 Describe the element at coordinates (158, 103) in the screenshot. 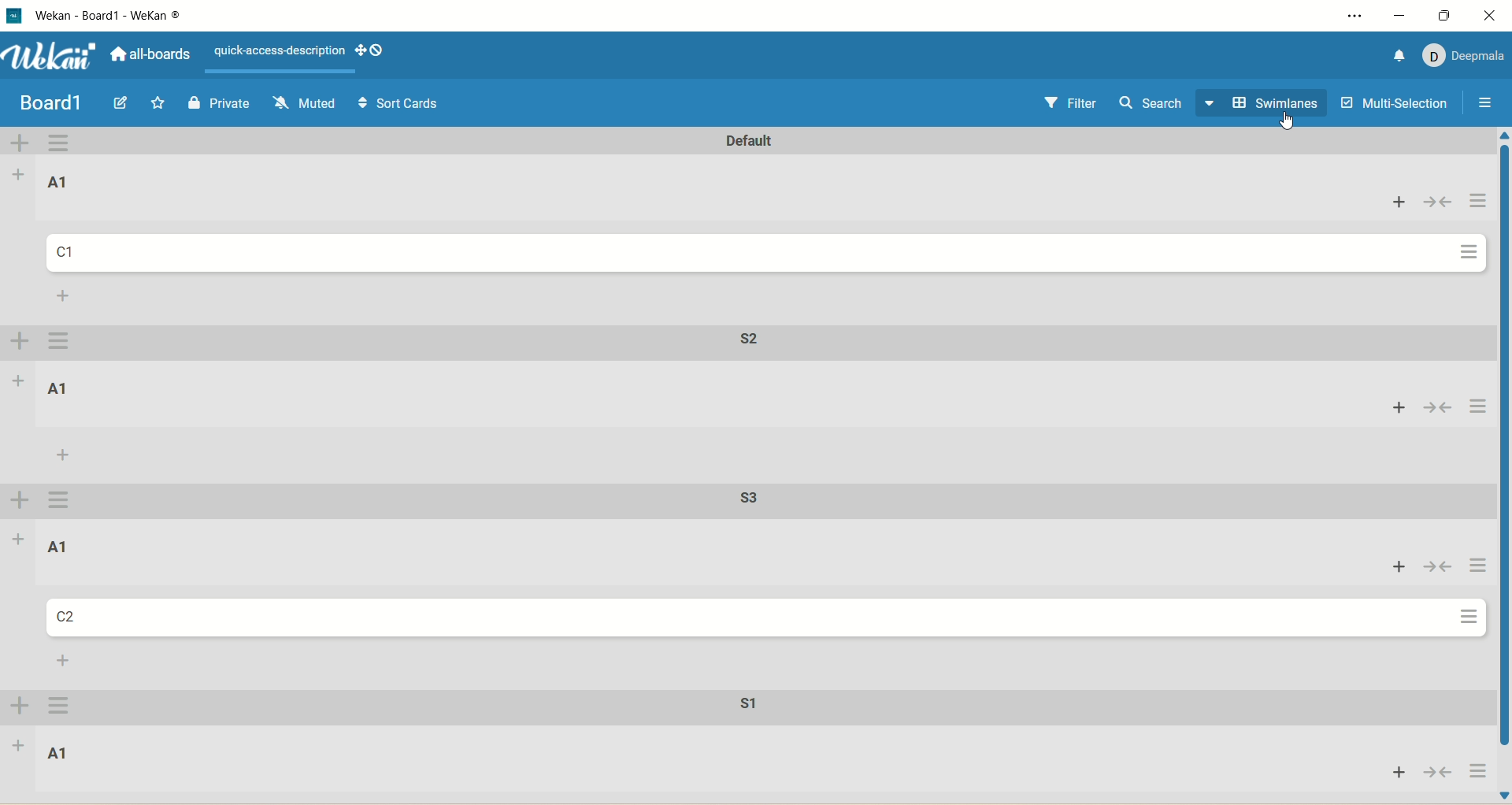

I see `favorite` at that location.